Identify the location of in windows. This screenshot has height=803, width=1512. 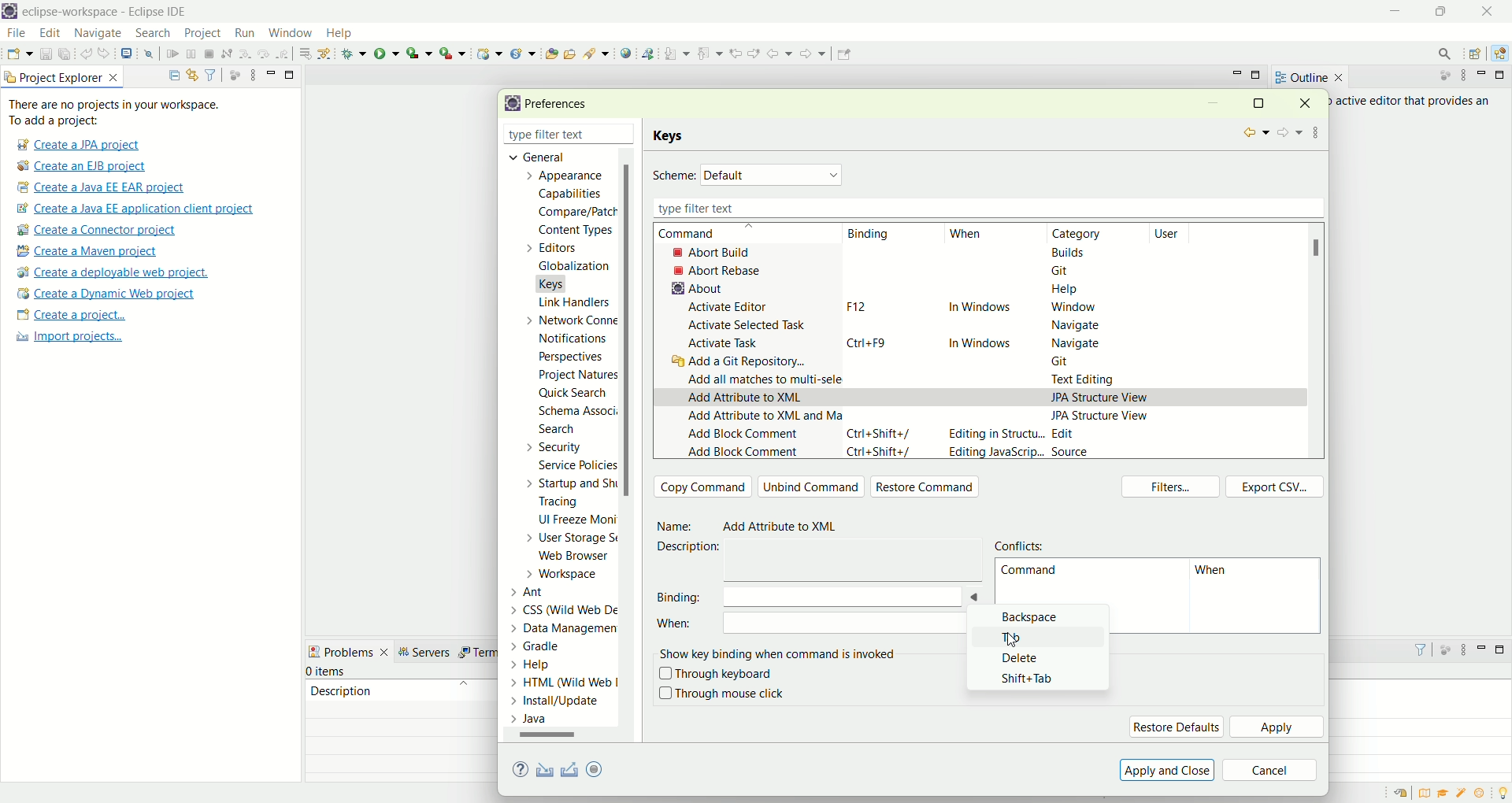
(982, 340).